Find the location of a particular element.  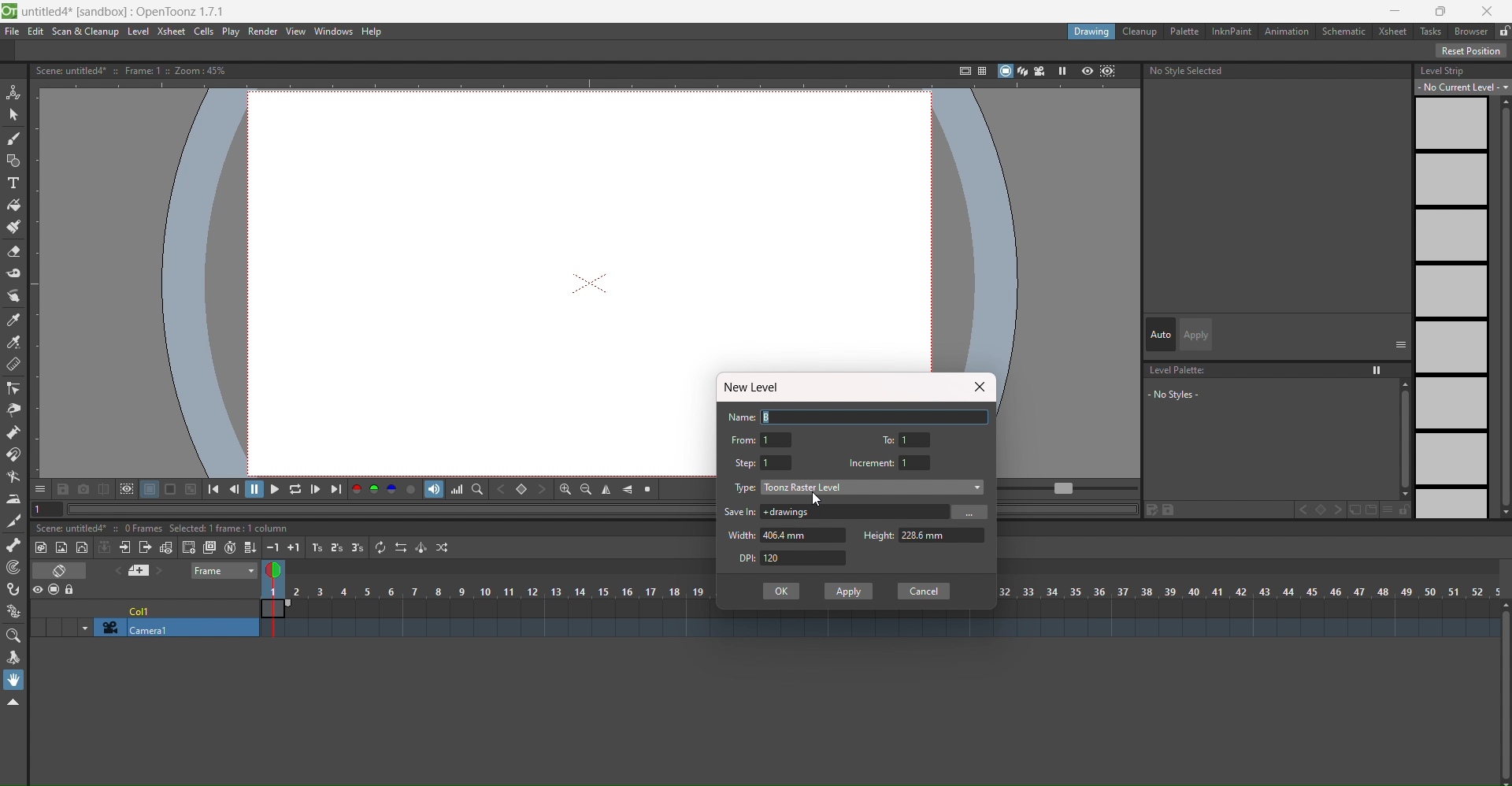

rgb picker tool is located at coordinates (13, 343).